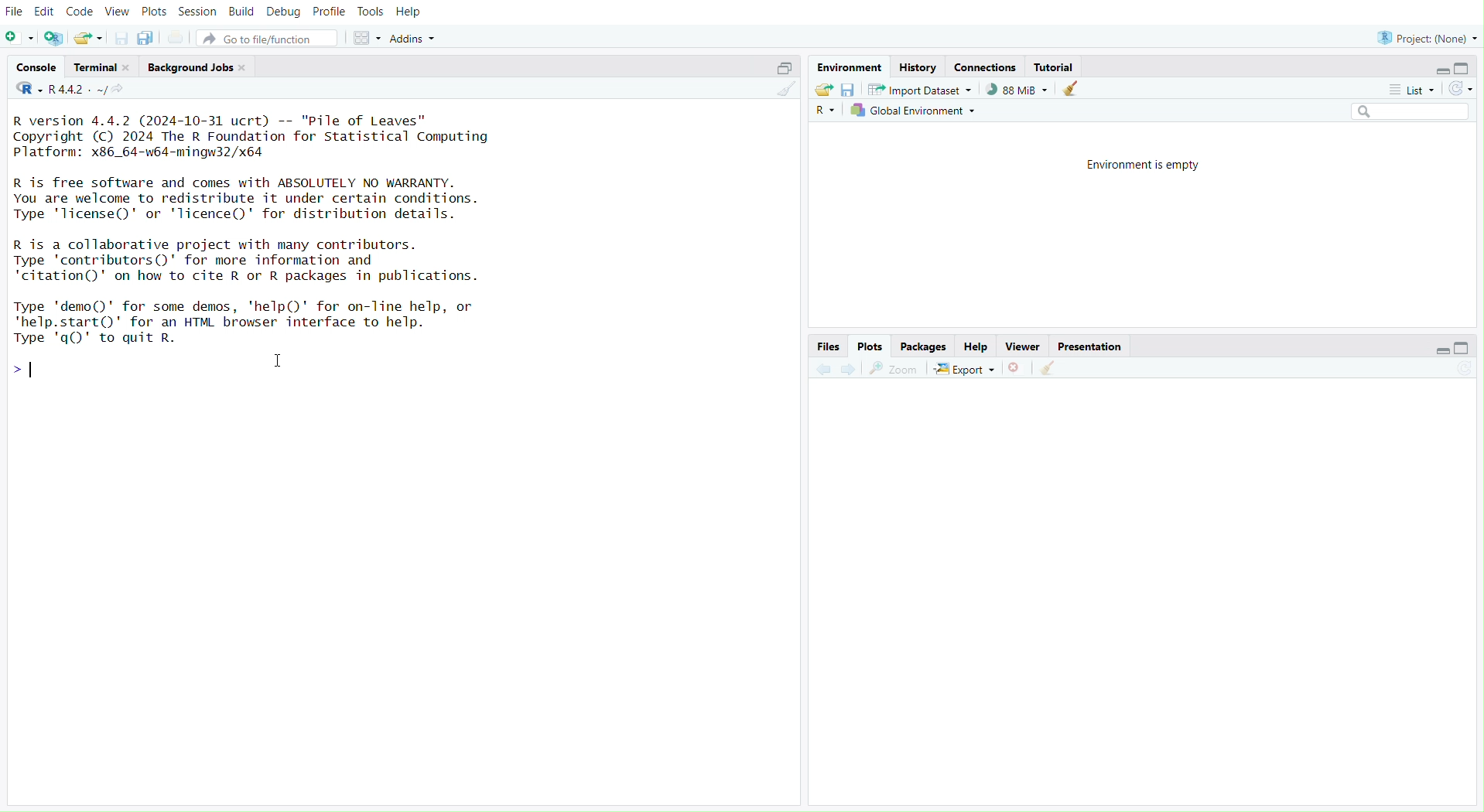  Describe the element at coordinates (145, 37) in the screenshot. I see `Save all open documents (Ctrl + Alt + S)` at that location.